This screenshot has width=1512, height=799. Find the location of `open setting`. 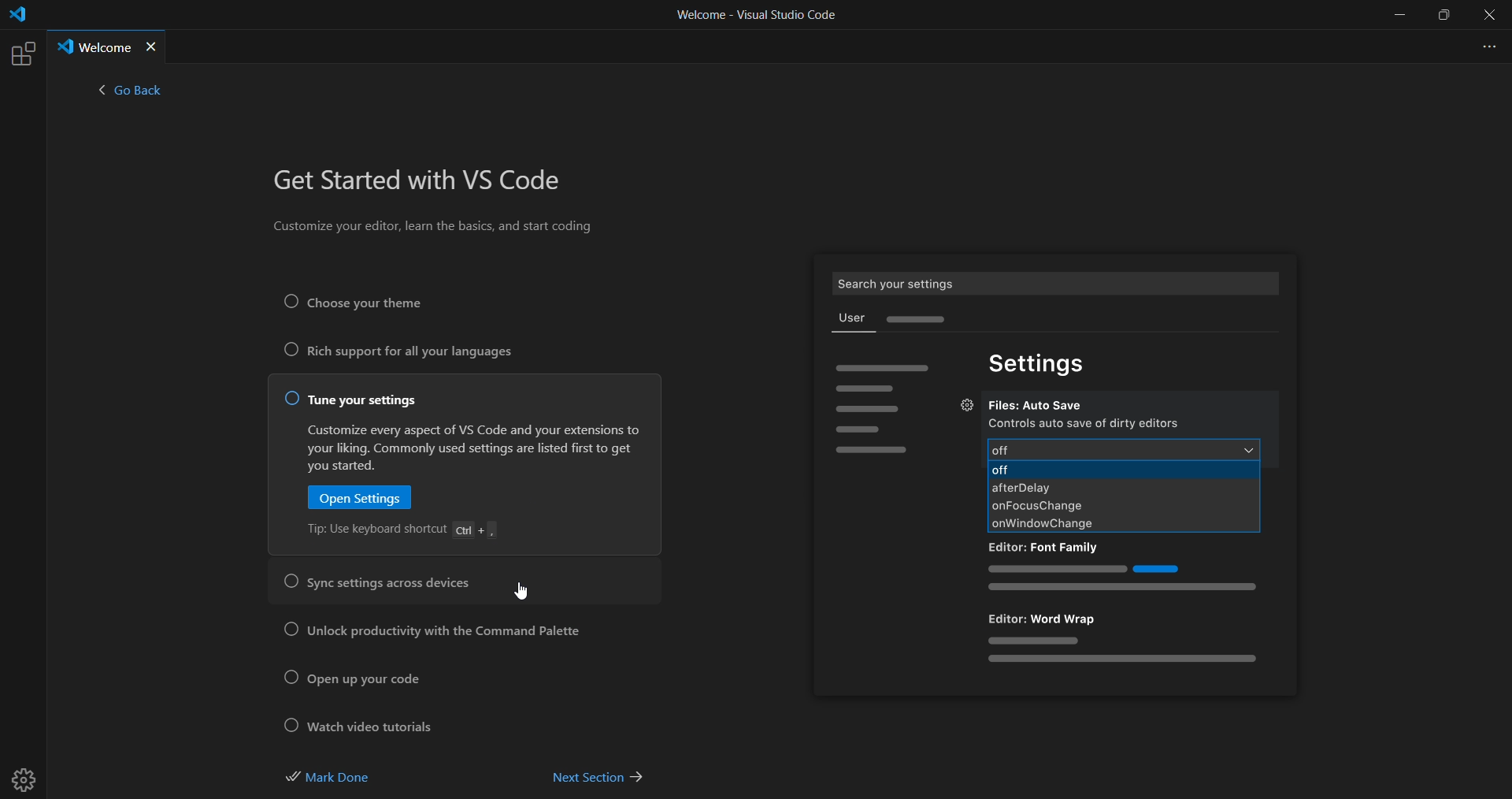

open setting is located at coordinates (361, 498).